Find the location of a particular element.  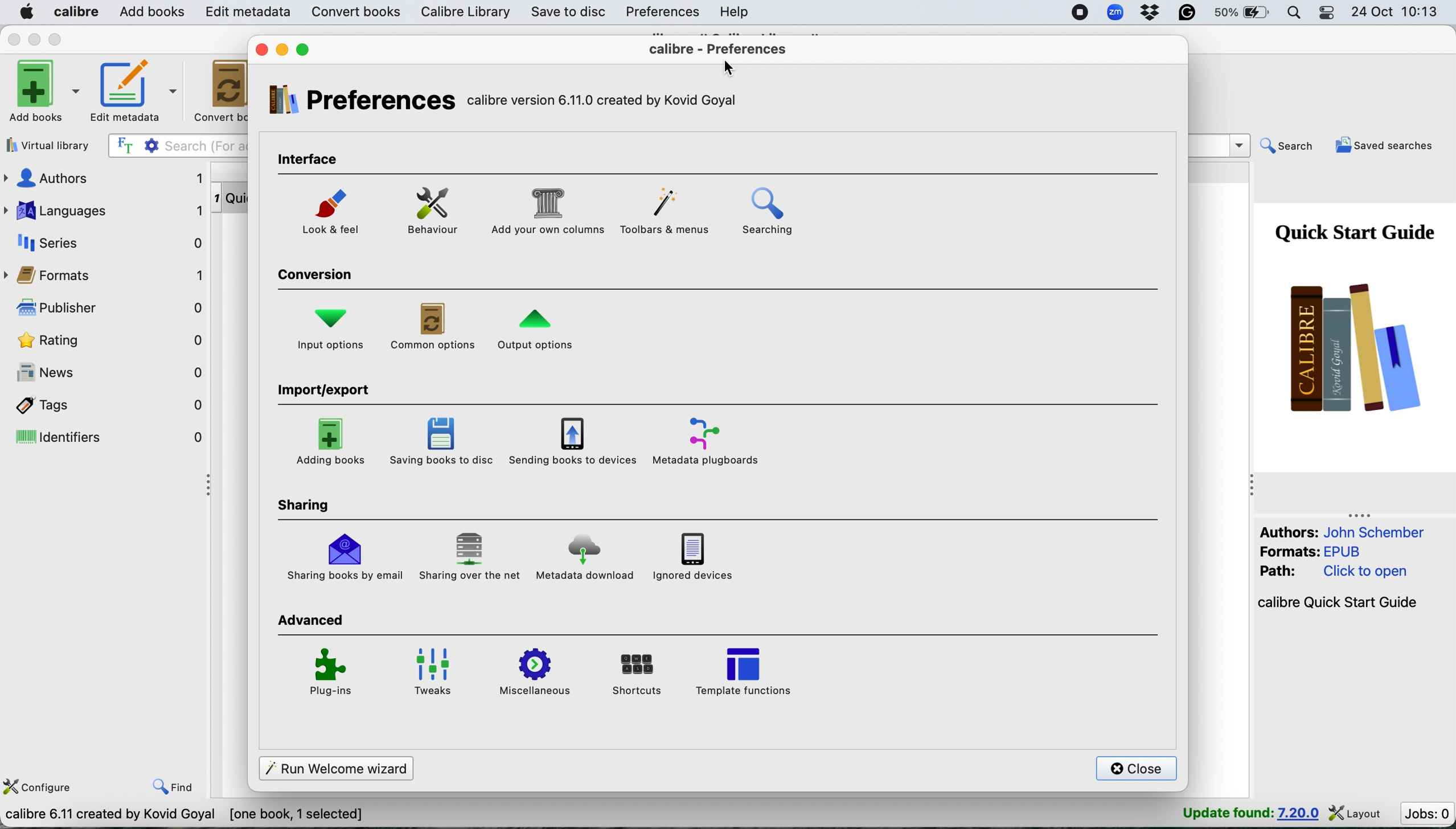

sharing is located at coordinates (305, 507).